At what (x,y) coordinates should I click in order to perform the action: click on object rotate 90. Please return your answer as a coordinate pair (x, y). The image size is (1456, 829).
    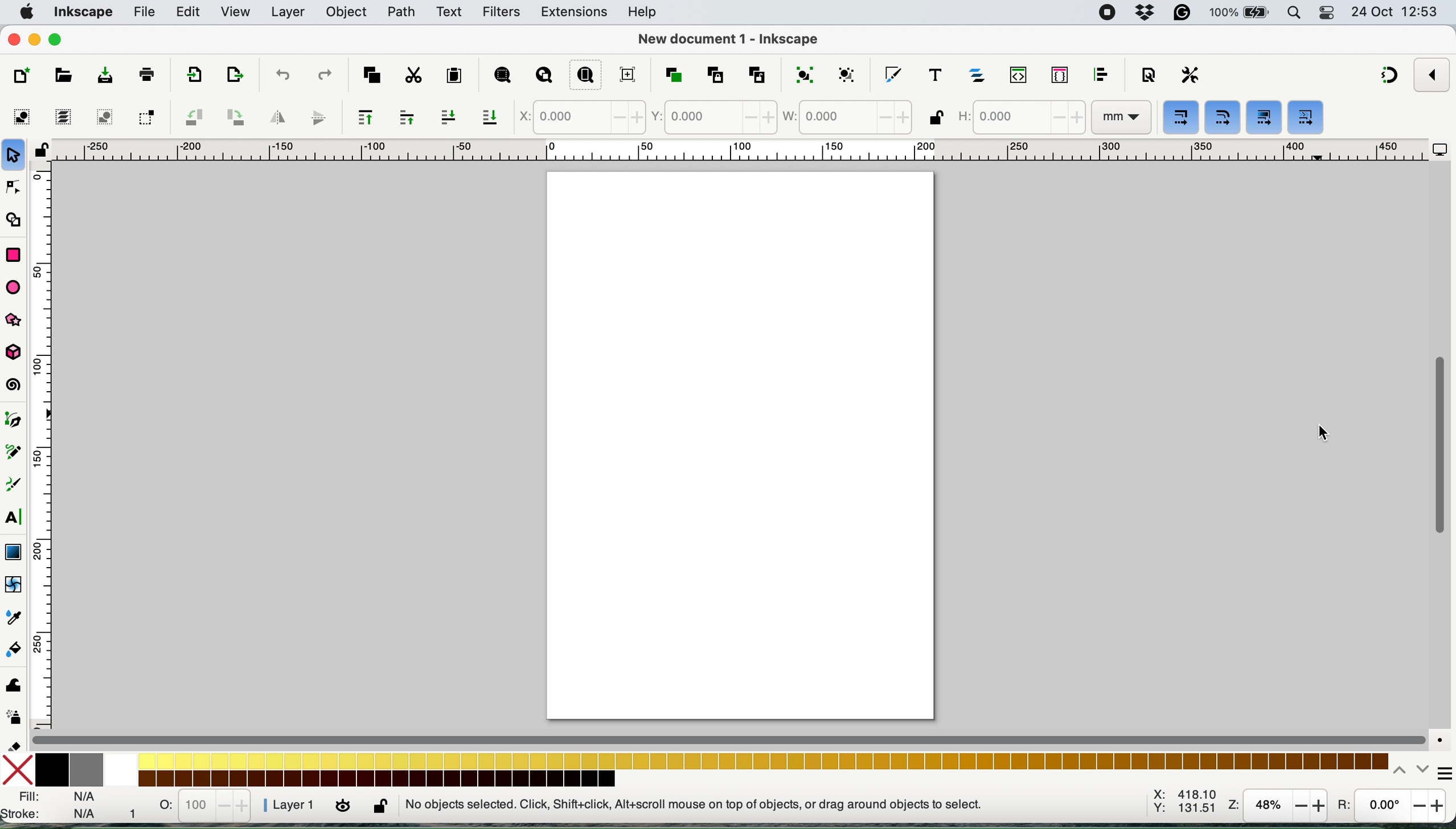
    Looking at the image, I should click on (236, 117).